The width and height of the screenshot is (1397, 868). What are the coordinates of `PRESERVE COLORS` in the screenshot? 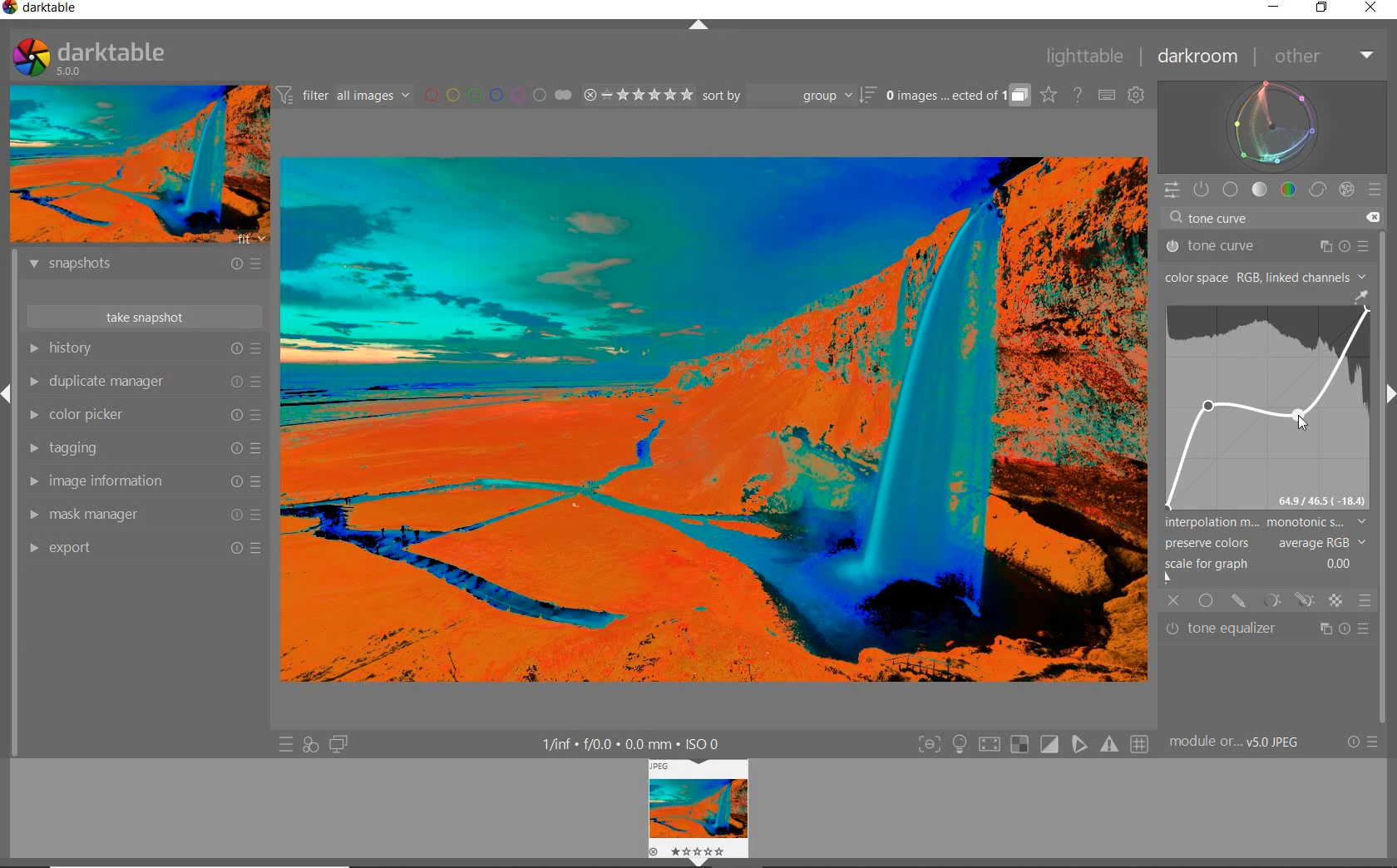 It's located at (1269, 544).